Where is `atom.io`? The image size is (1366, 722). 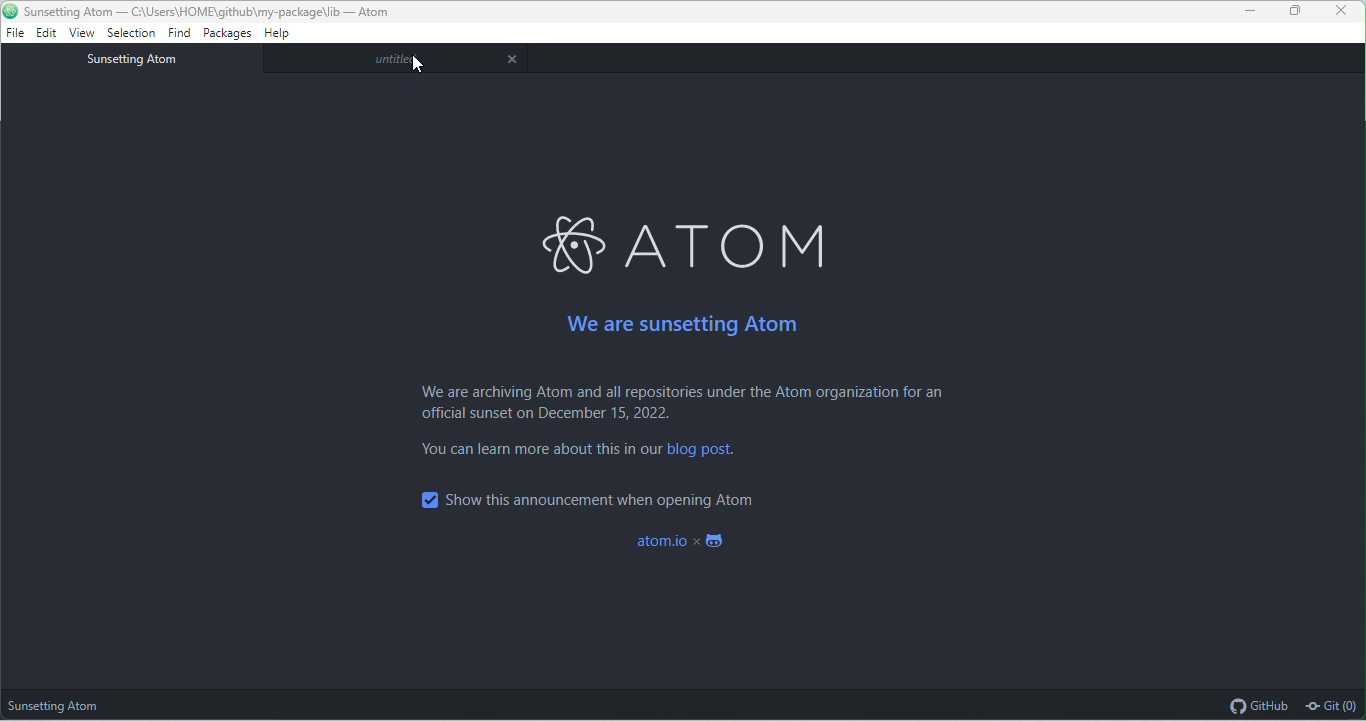 atom.io is located at coordinates (692, 540).